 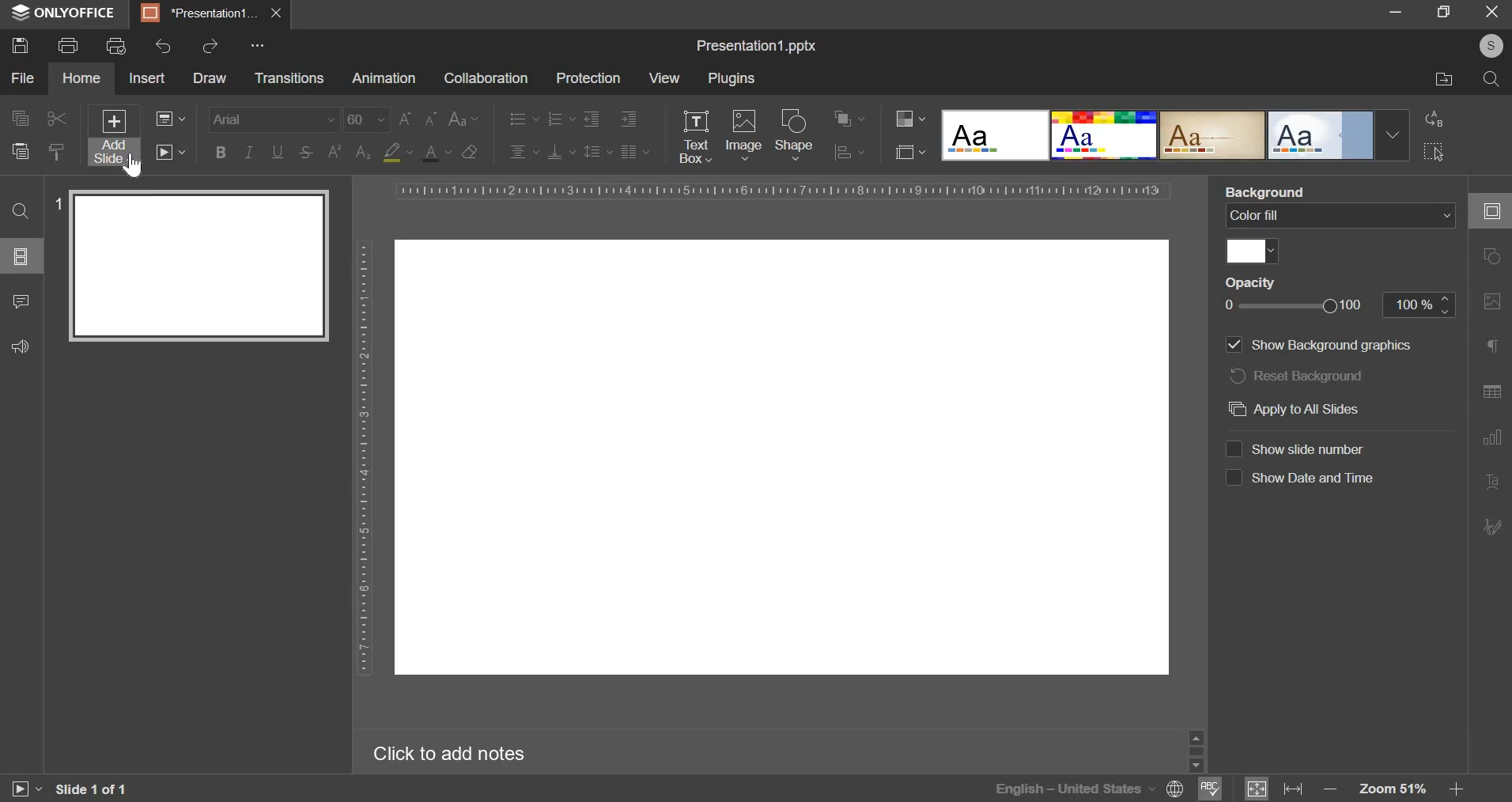 What do you see at coordinates (349, 151) in the screenshot?
I see `subscript & superscript` at bounding box center [349, 151].